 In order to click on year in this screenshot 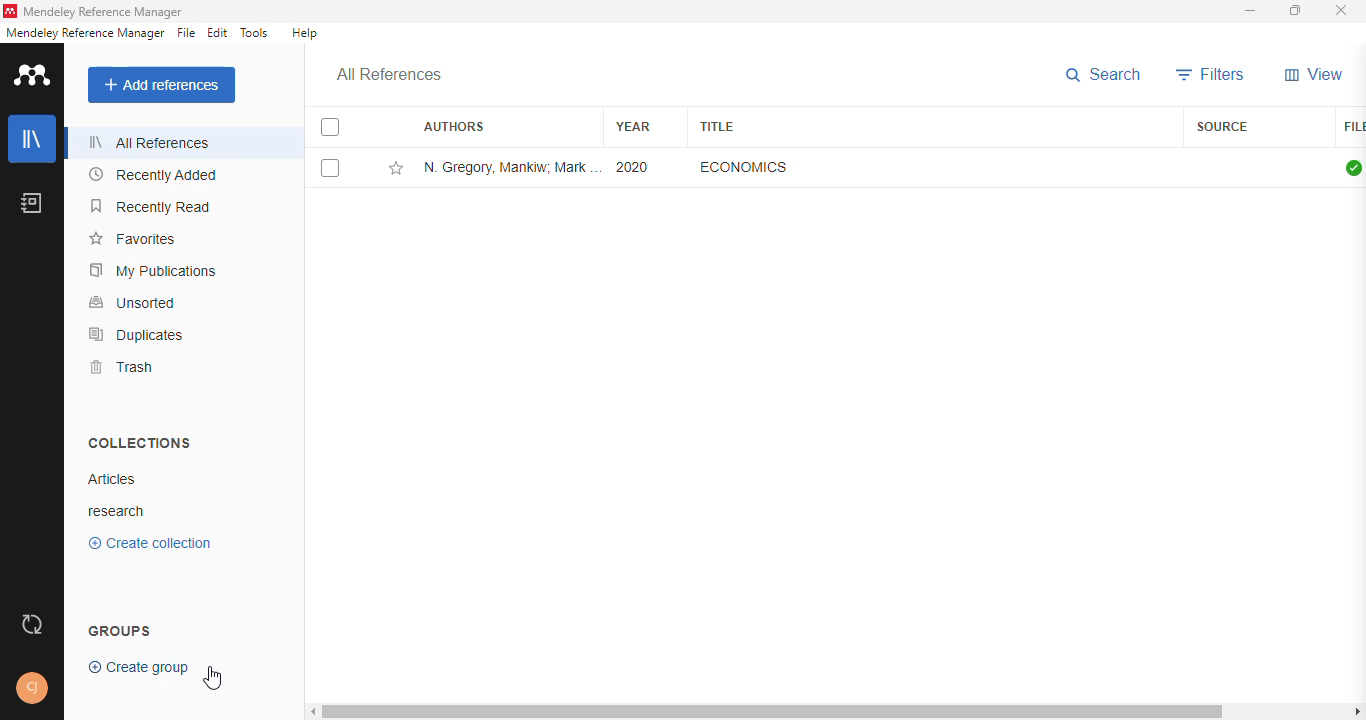, I will do `click(633, 126)`.